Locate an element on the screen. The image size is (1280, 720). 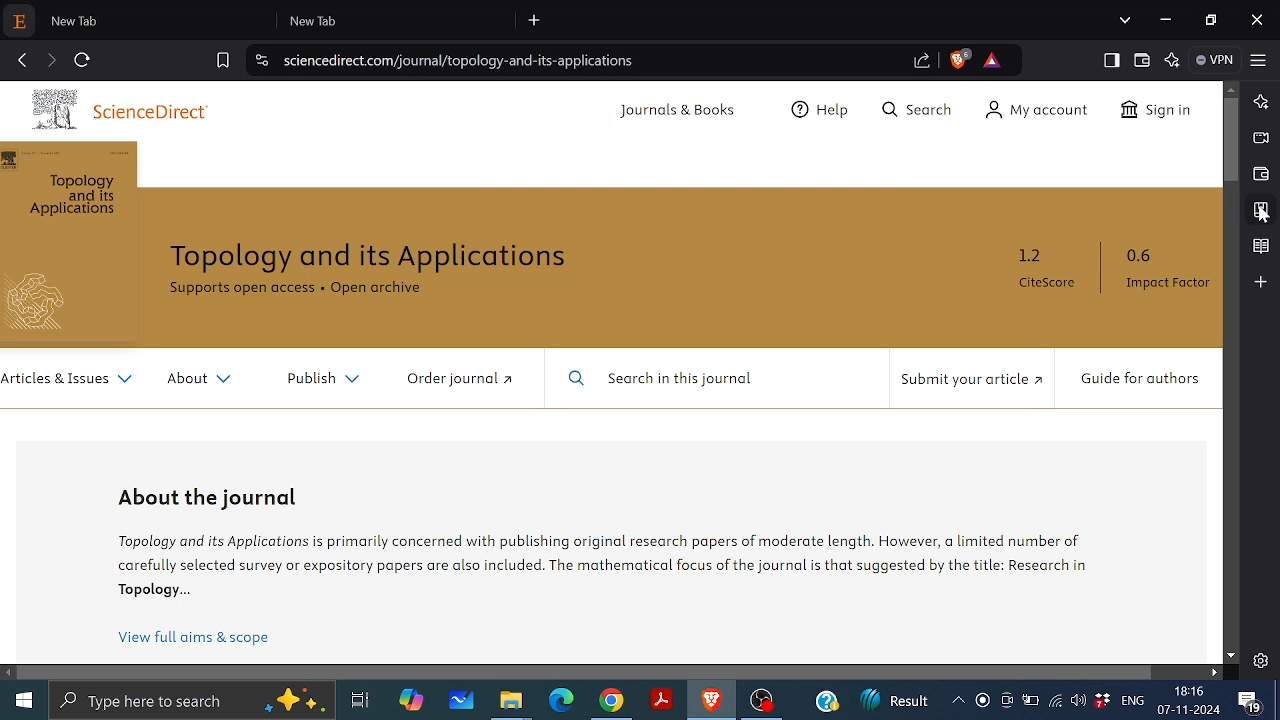
0.6 Impact Factor is located at coordinates (1165, 270).